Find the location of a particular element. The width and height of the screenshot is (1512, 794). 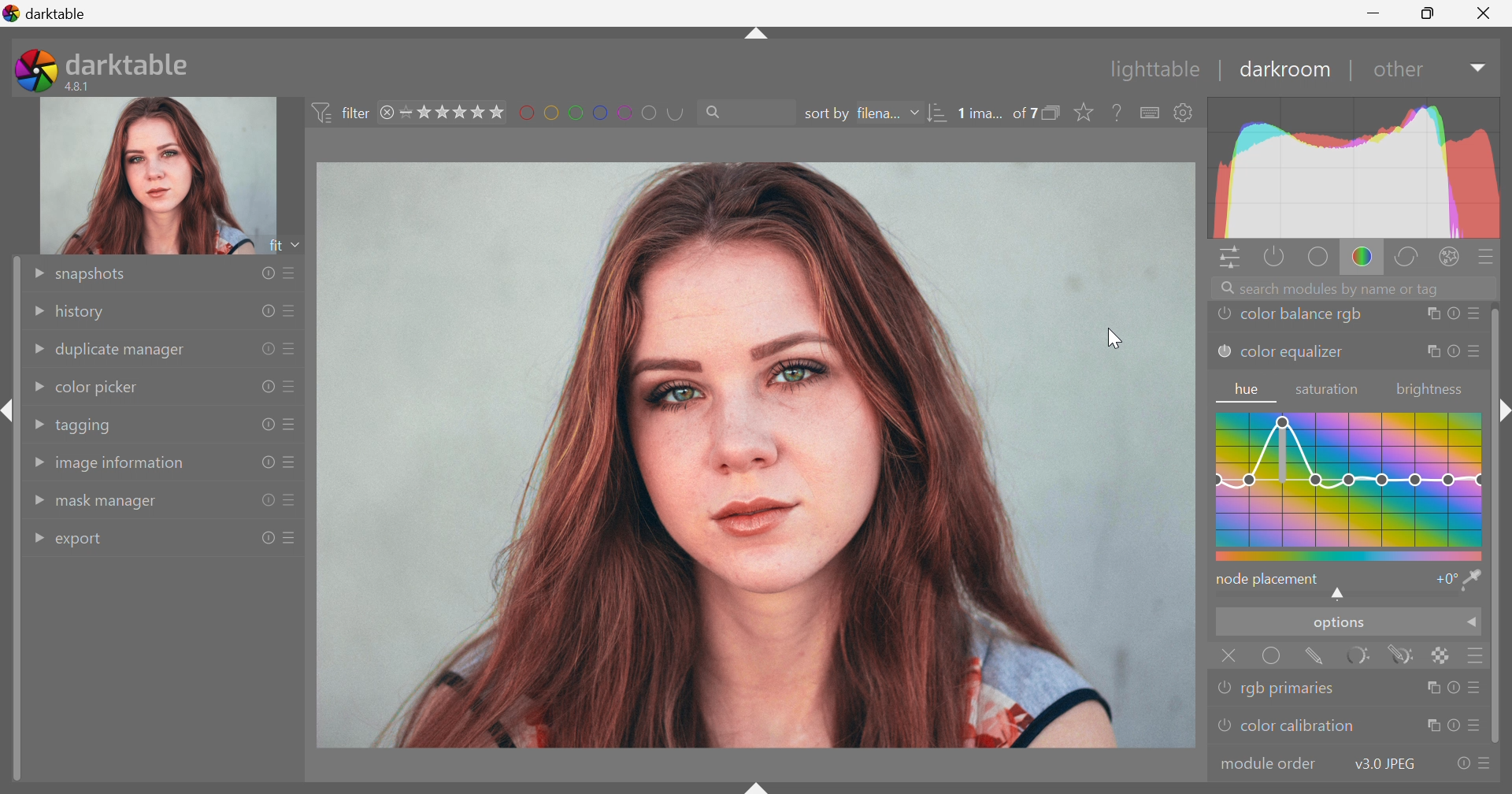

image is located at coordinates (757, 456).